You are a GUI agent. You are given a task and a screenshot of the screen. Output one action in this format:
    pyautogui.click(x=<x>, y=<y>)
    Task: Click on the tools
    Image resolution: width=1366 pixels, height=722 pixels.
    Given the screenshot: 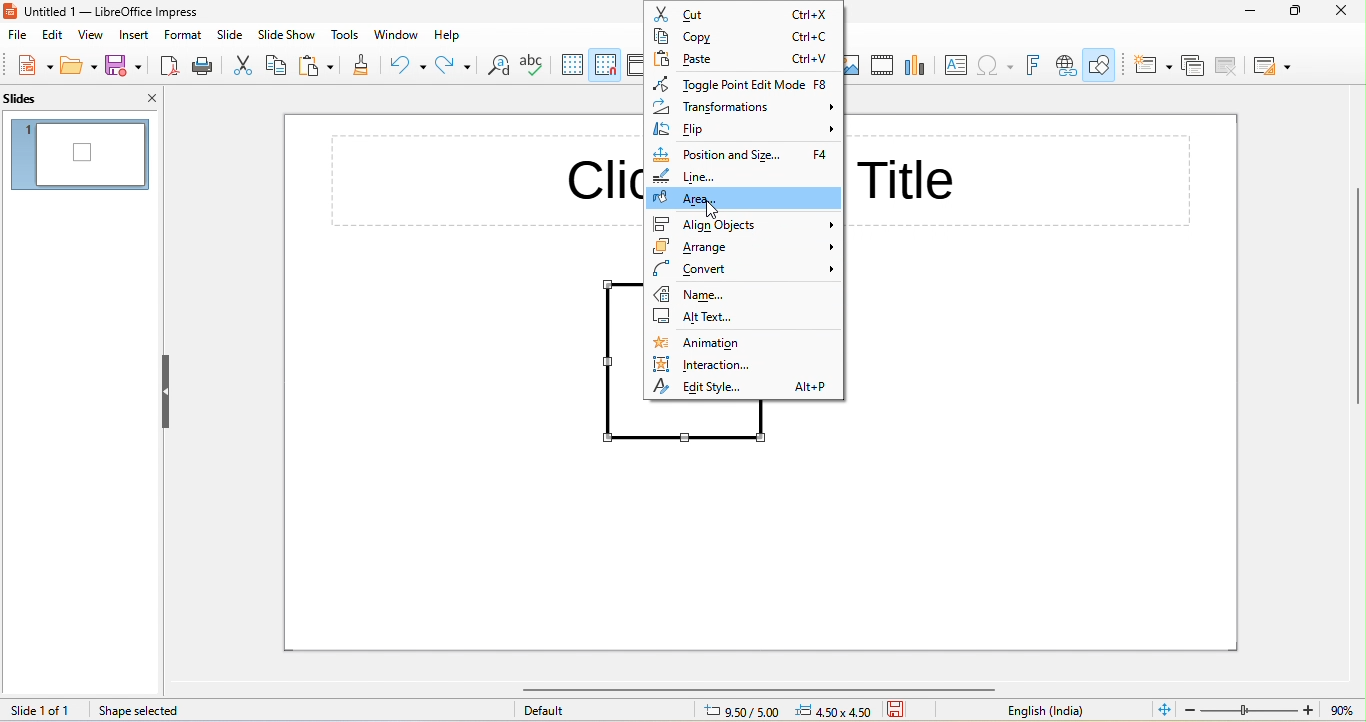 What is the action you would take?
    pyautogui.click(x=346, y=34)
    